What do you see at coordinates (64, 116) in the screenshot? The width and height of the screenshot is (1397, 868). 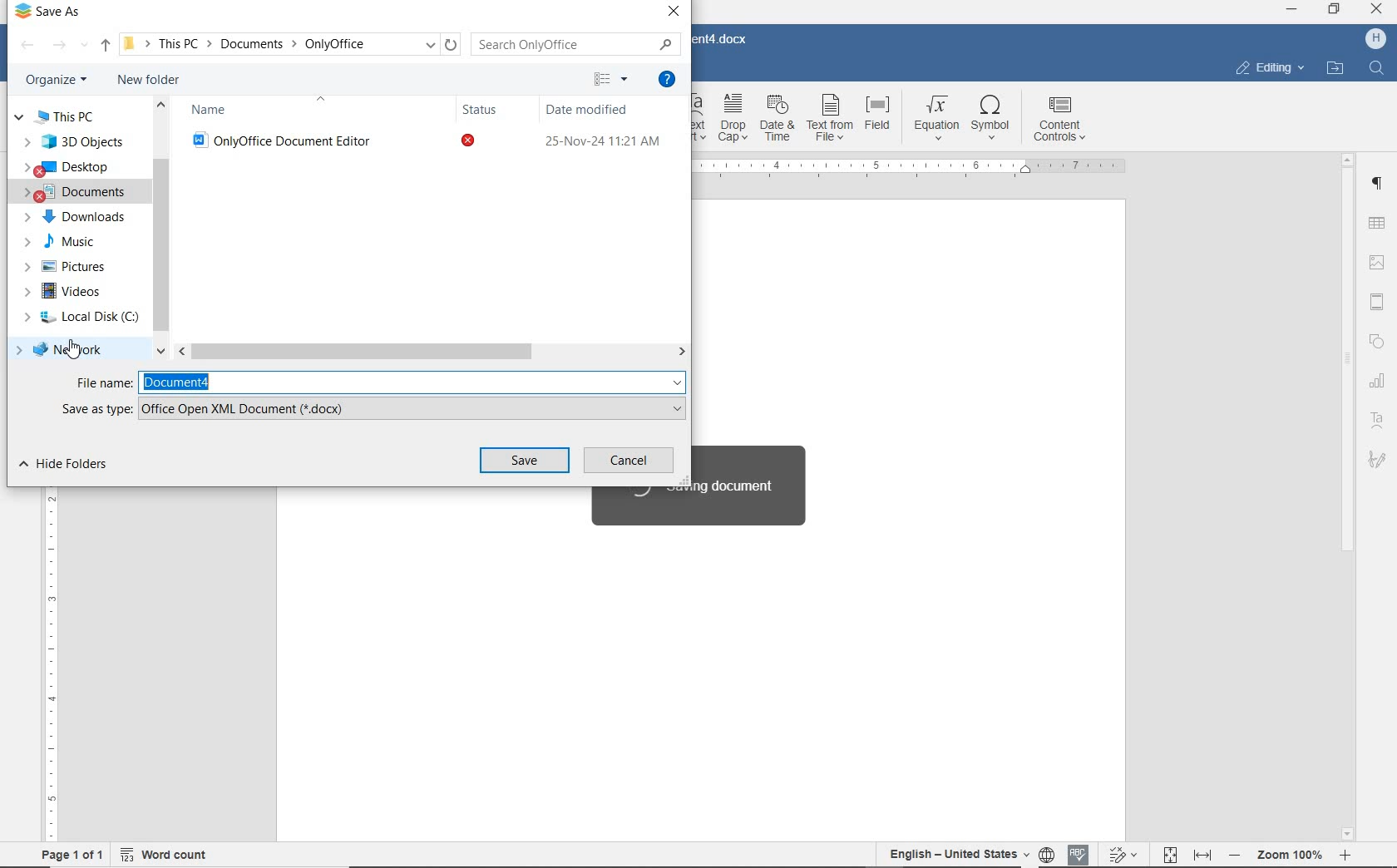 I see `this pc` at bounding box center [64, 116].